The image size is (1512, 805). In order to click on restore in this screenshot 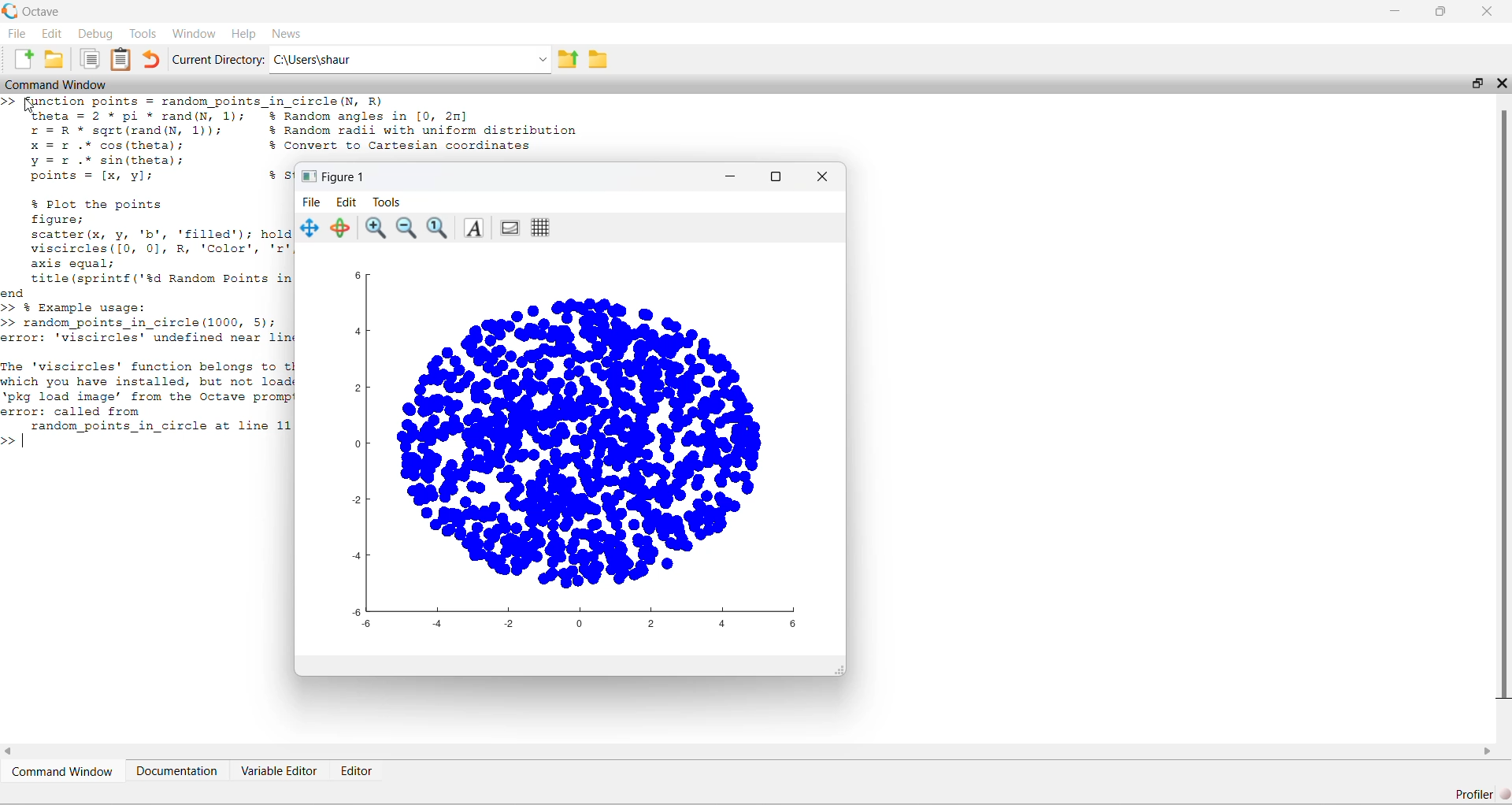, I will do `click(1441, 10)`.